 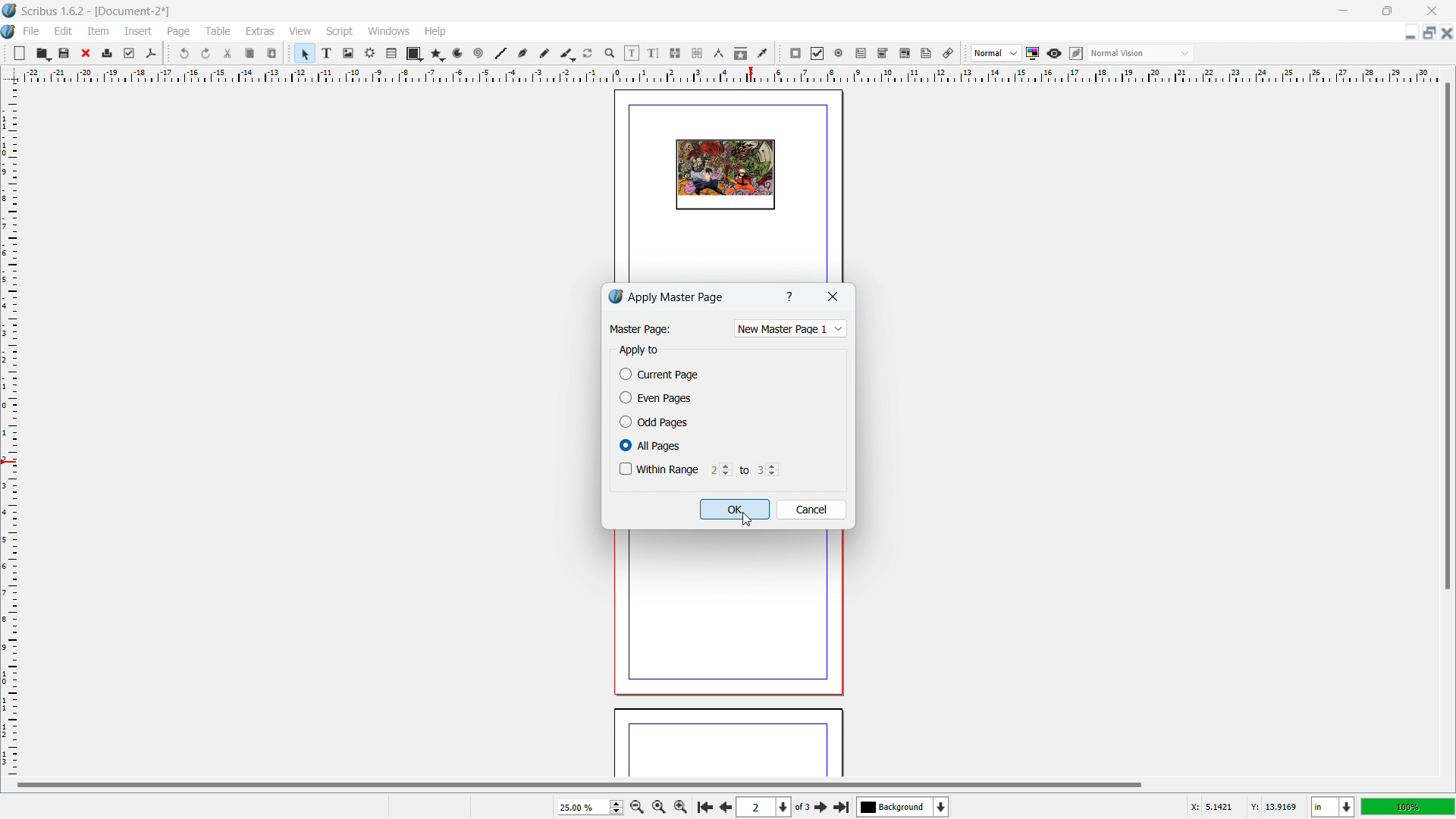 What do you see at coordinates (305, 54) in the screenshot?
I see `select item` at bounding box center [305, 54].